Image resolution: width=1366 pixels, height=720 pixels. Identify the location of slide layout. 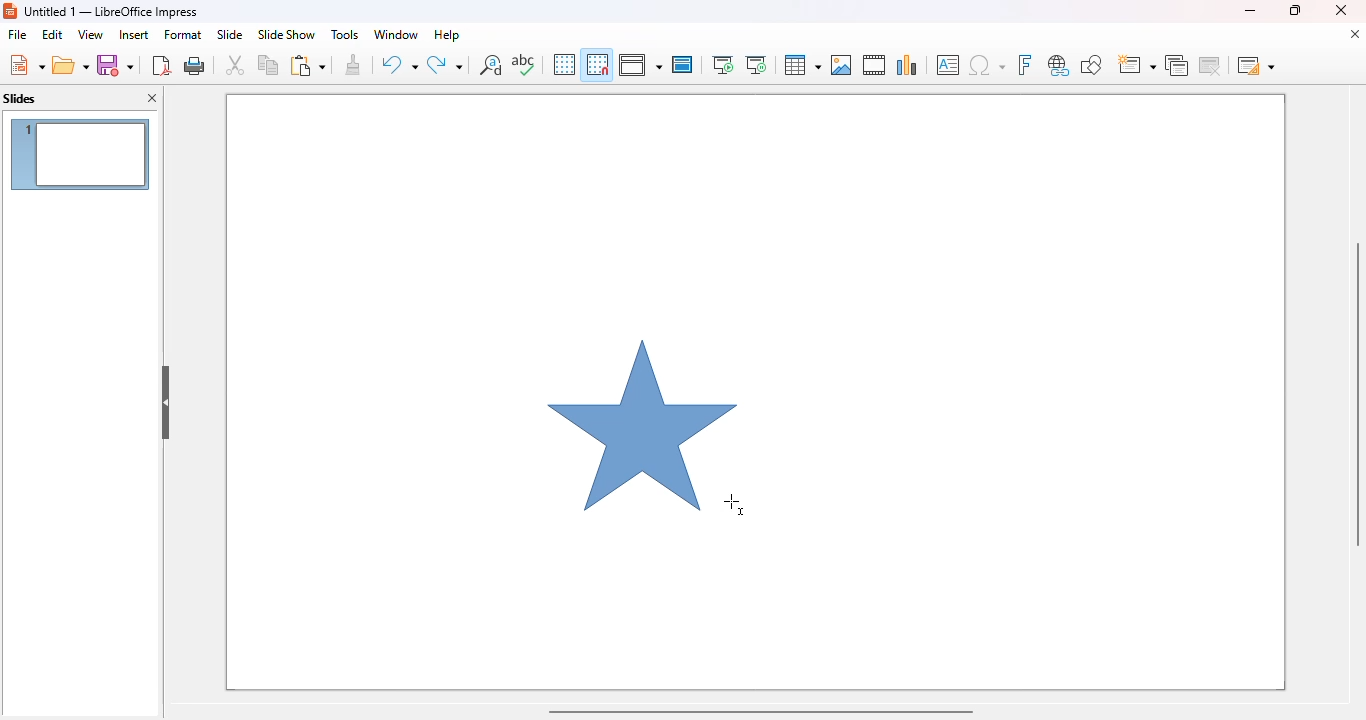
(1256, 65).